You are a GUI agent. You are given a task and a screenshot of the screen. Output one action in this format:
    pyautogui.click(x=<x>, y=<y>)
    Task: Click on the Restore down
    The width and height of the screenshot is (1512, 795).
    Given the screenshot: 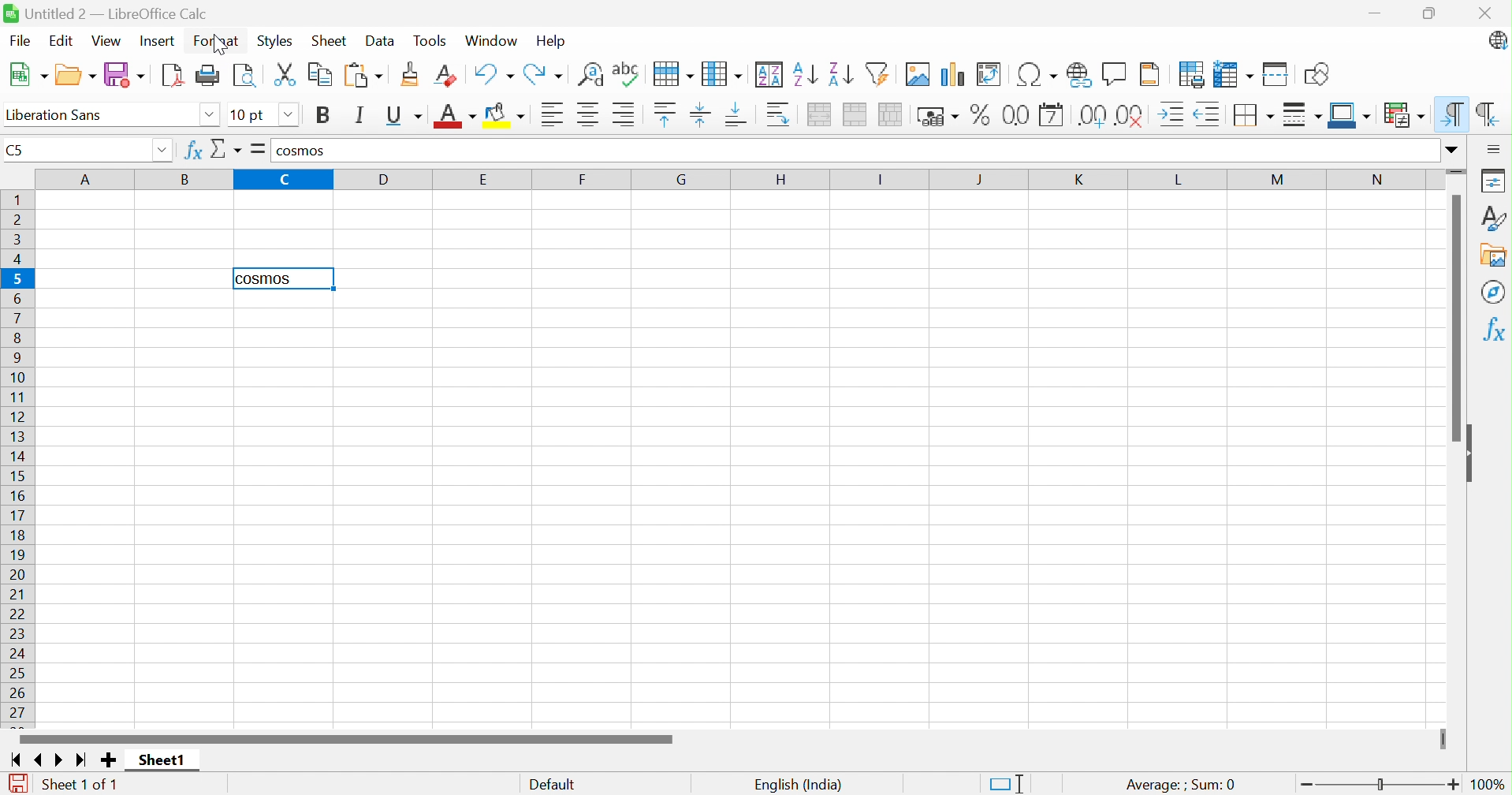 What is the action you would take?
    pyautogui.click(x=1429, y=15)
    